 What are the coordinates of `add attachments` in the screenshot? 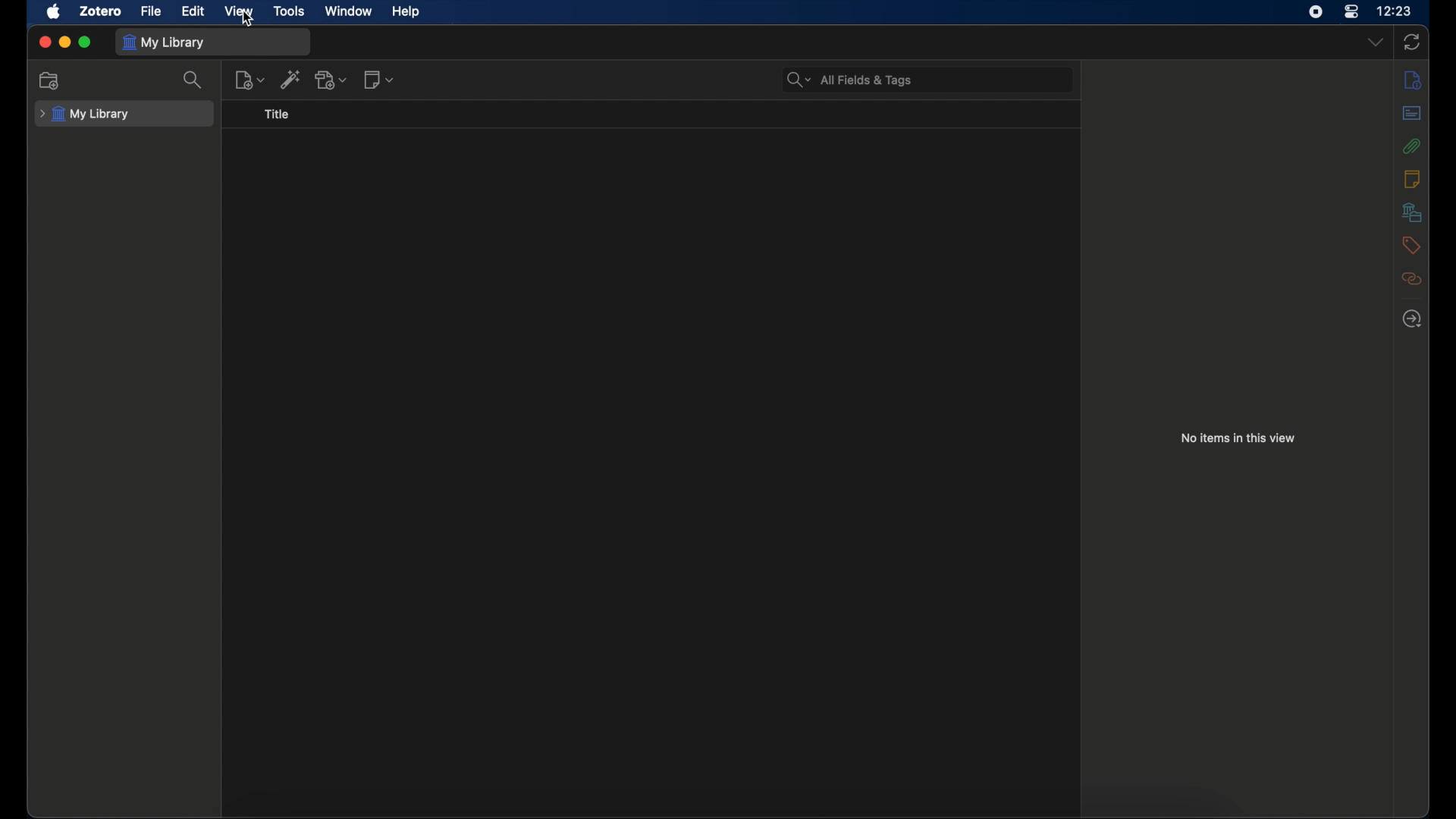 It's located at (332, 80).